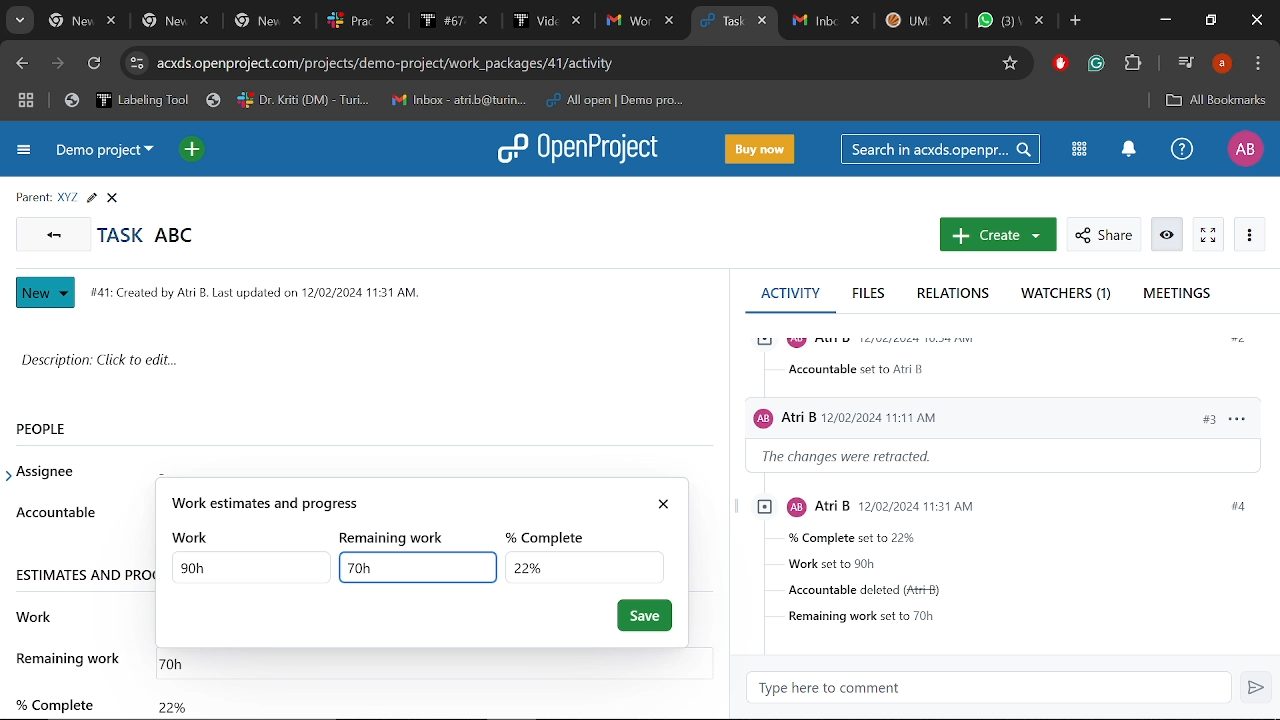 Image resolution: width=1280 pixels, height=720 pixels. Describe the element at coordinates (667, 500) in the screenshot. I see `close` at that location.